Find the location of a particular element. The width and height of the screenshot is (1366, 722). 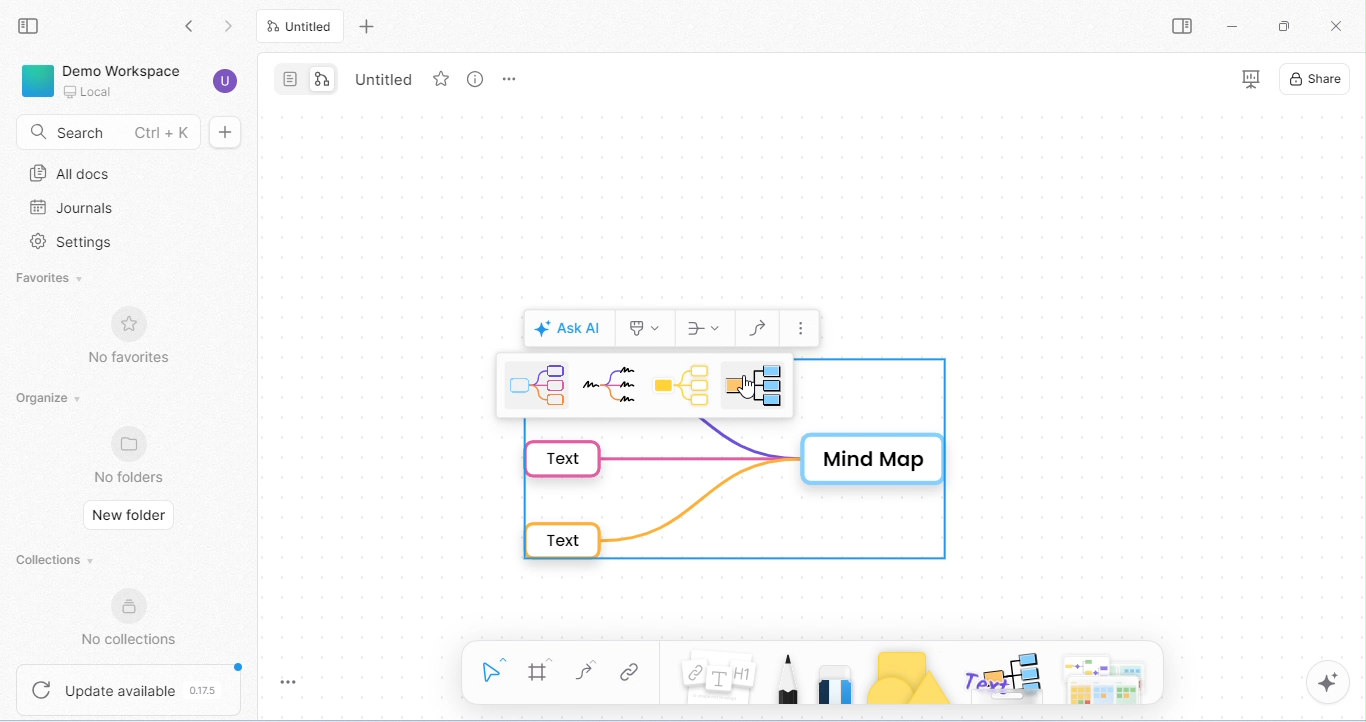

edgeless is located at coordinates (328, 79).